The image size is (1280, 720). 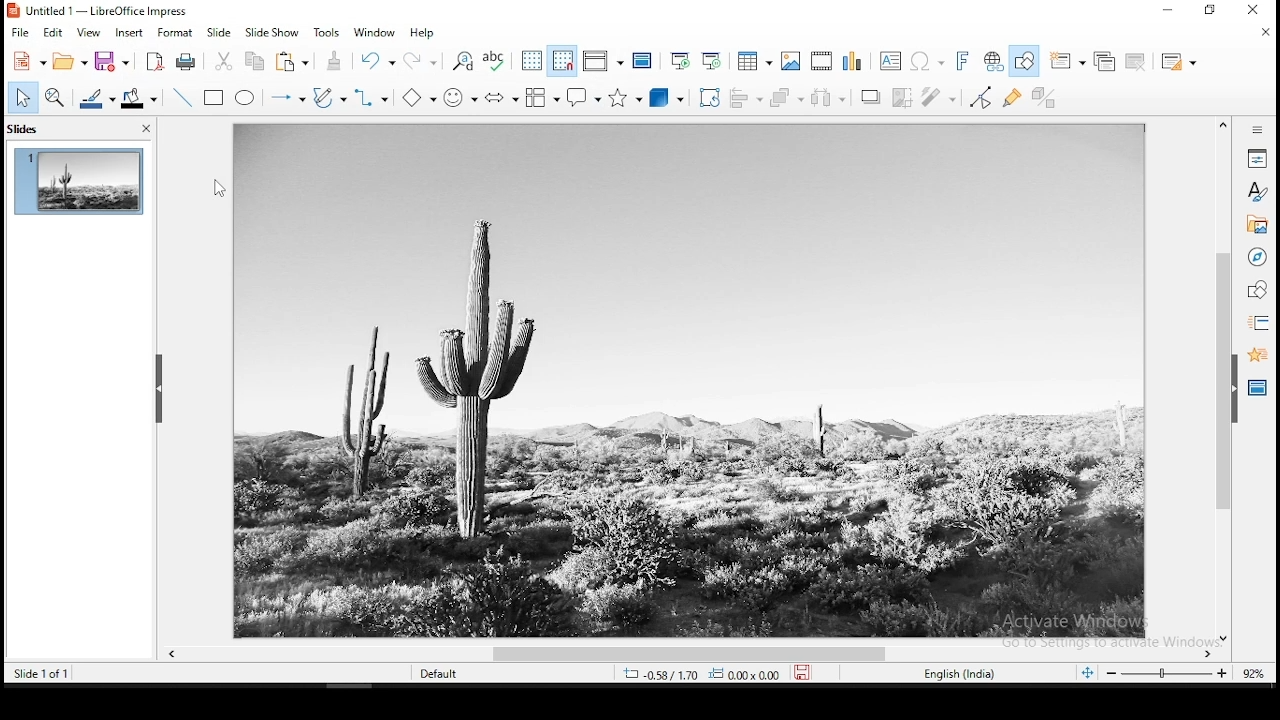 What do you see at coordinates (993, 62) in the screenshot?
I see `hyperlink` at bounding box center [993, 62].